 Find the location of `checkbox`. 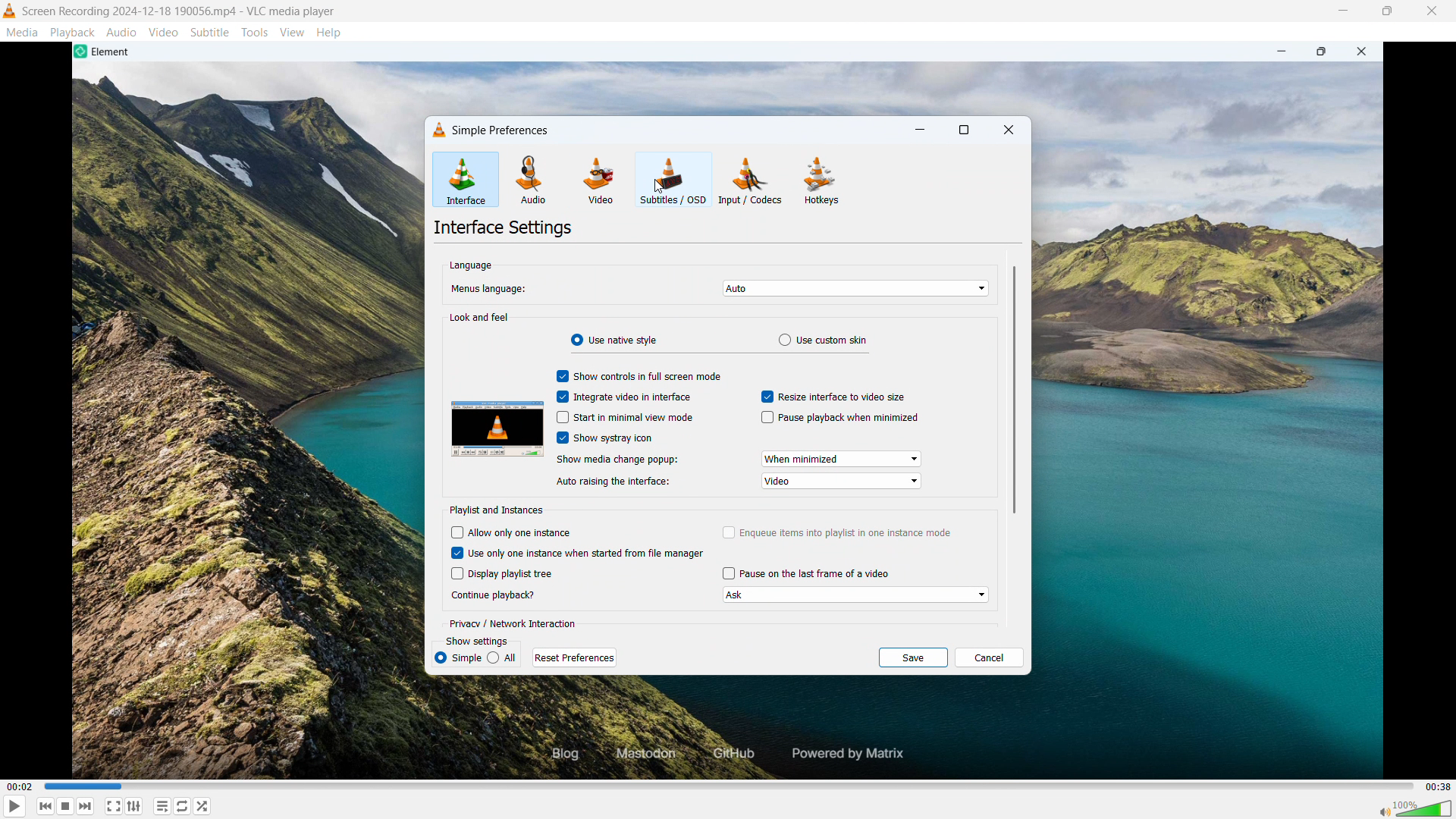

checkbox is located at coordinates (726, 573).